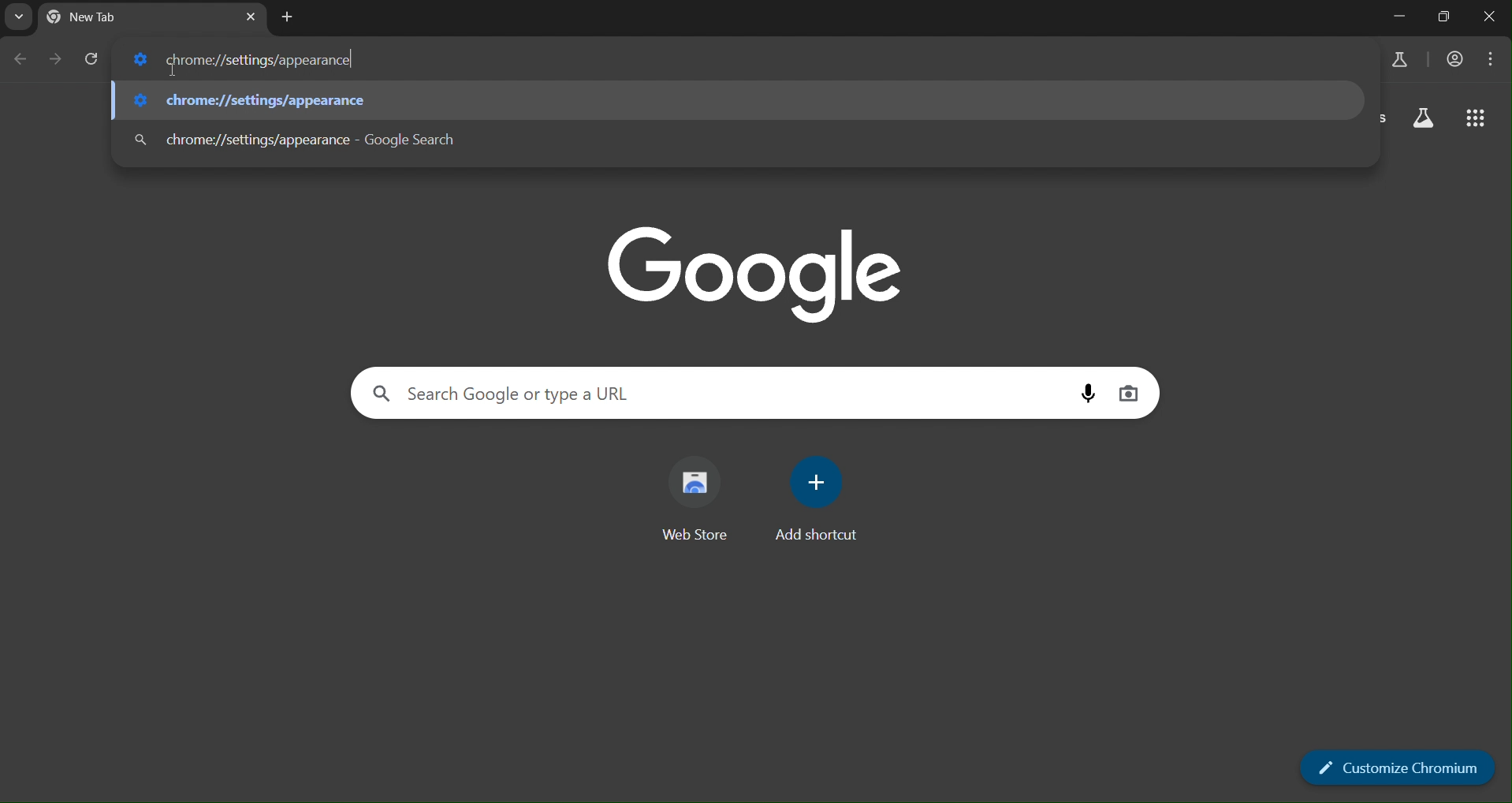  Describe the element at coordinates (1396, 766) in the screenshot. I see `customize chromium` at that location.